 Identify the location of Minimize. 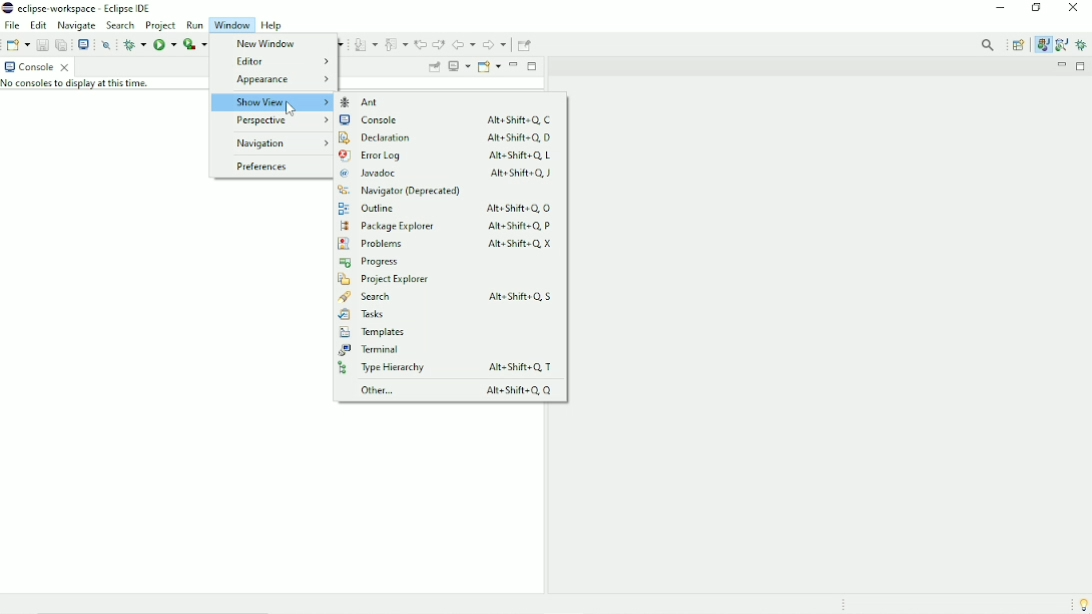
(1060, 66).